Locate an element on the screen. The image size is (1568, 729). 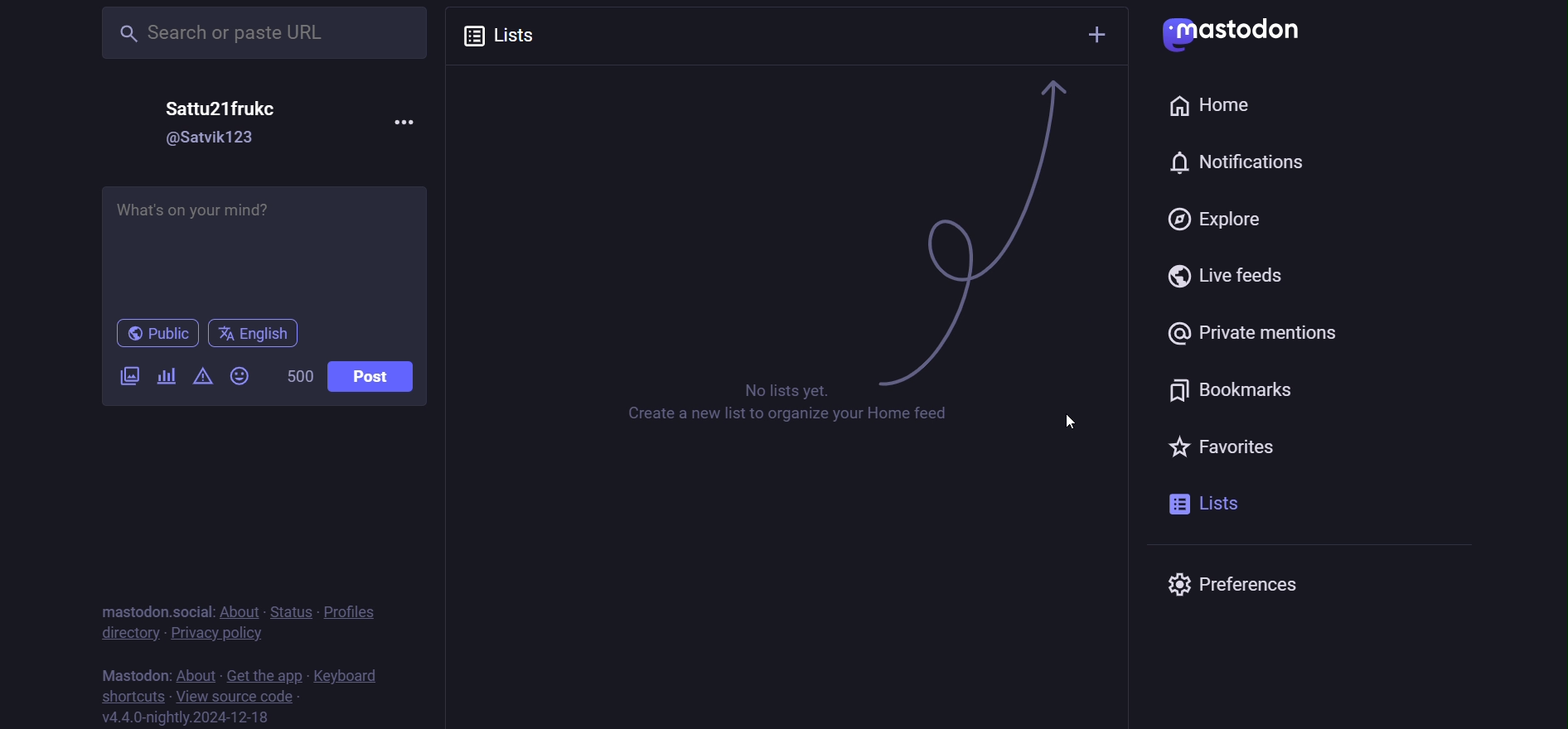
@satvik123 is located at coordinates (210, 140).